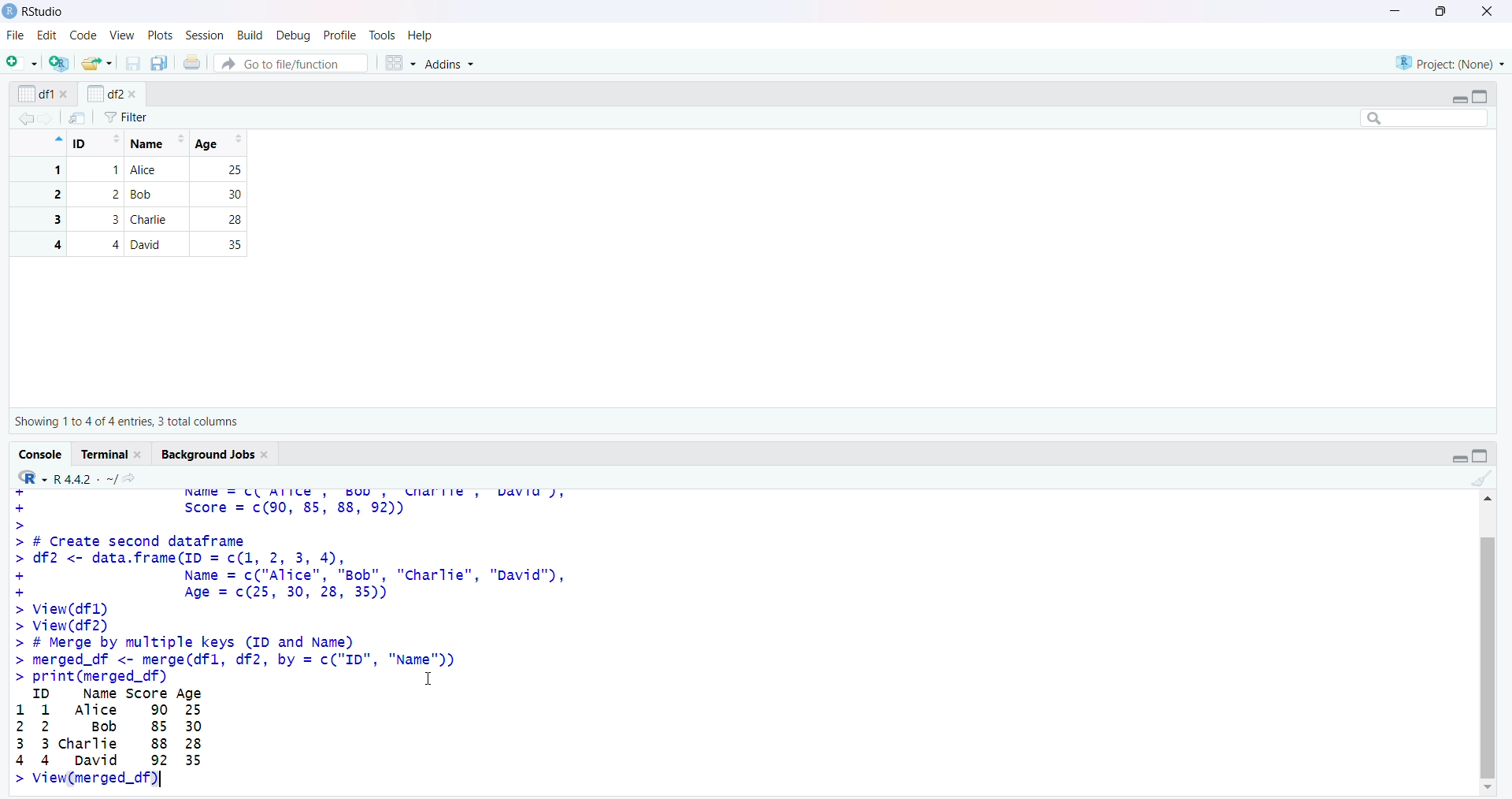 The image size is (1512, 799). I want to click on session, so click(208, 35).